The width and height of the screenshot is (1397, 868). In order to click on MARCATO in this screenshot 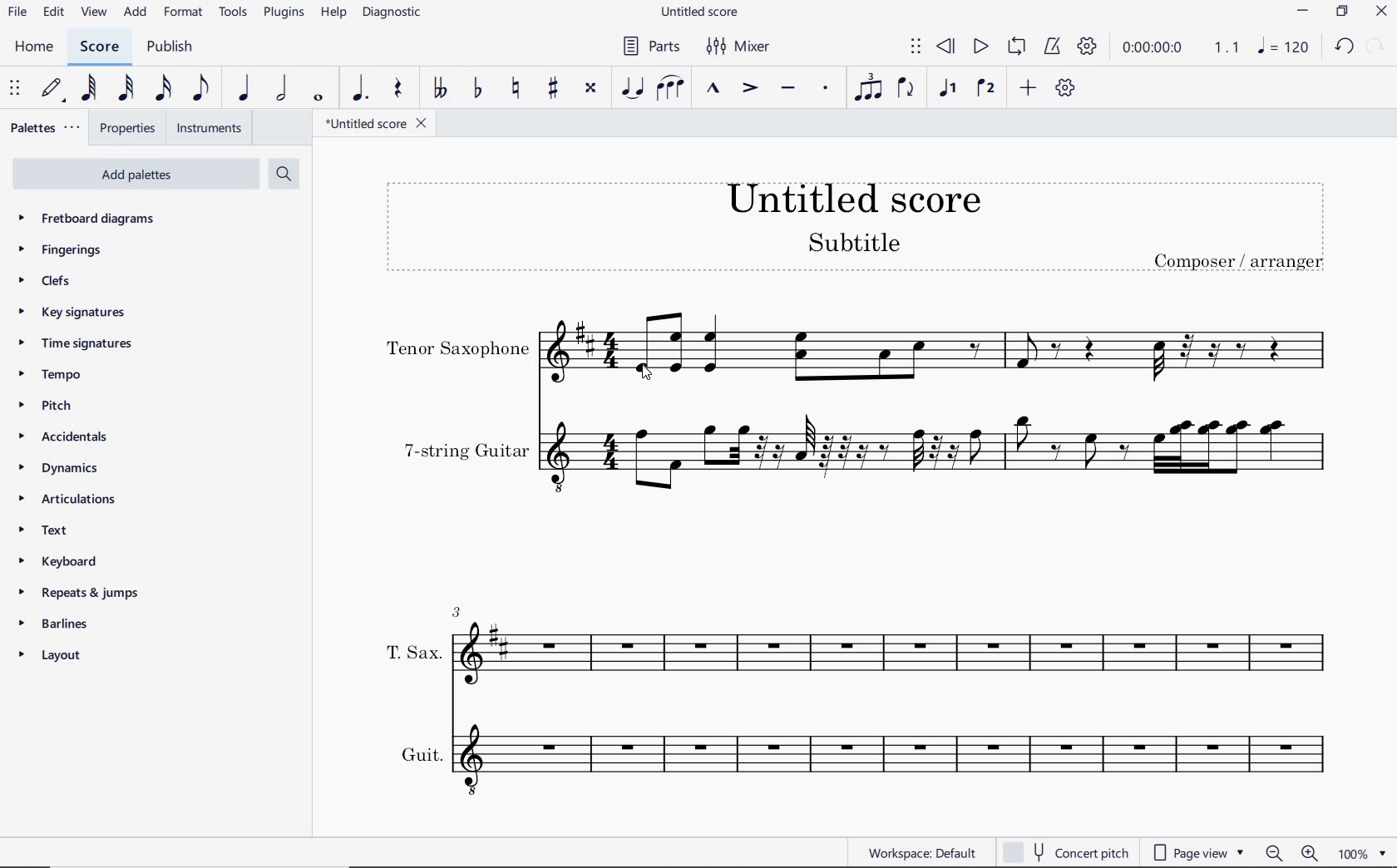, I will do `click(713, 89)`.